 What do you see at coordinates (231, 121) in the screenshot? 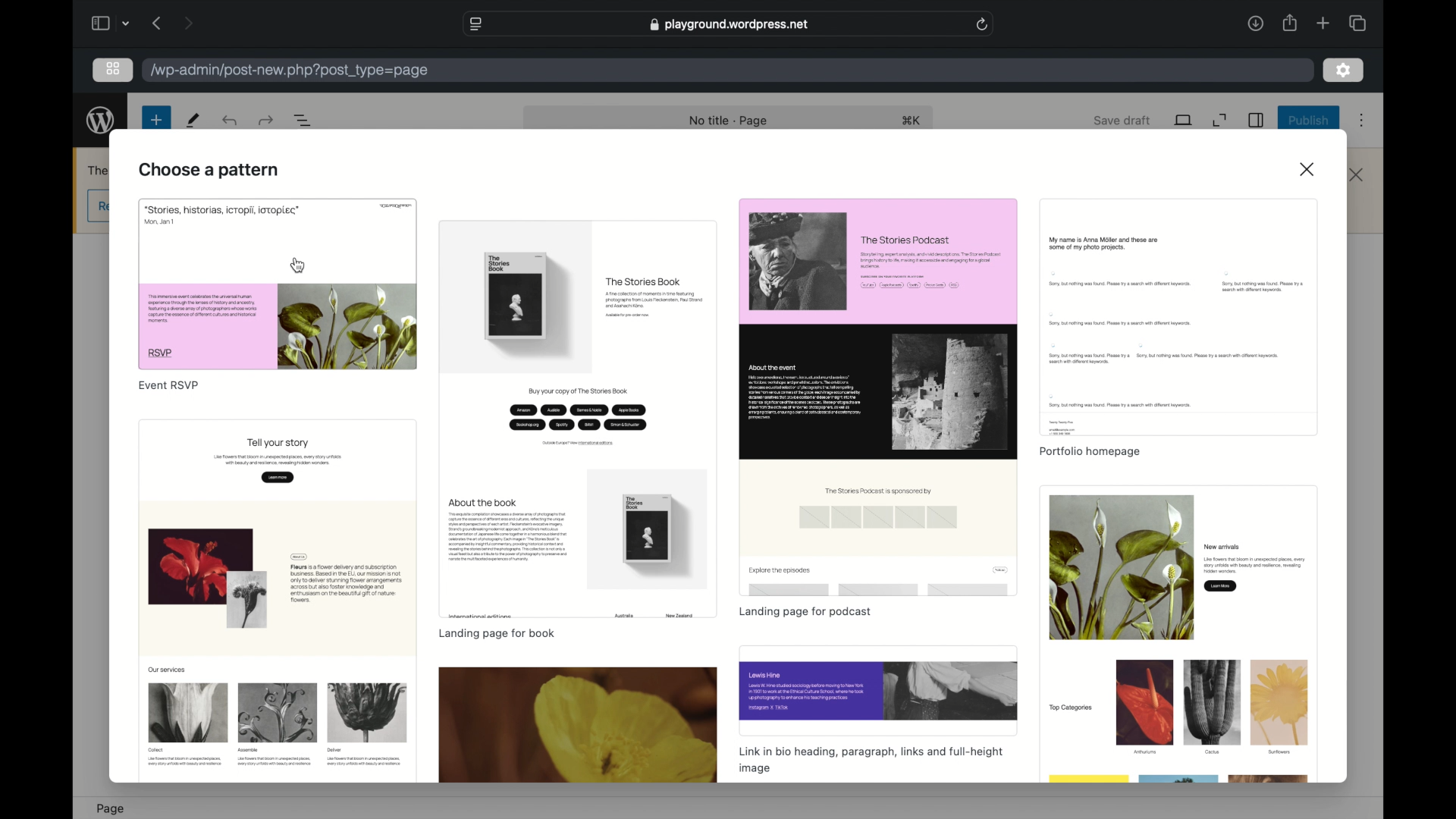
I see `redo` at bounding box center [231, 121].